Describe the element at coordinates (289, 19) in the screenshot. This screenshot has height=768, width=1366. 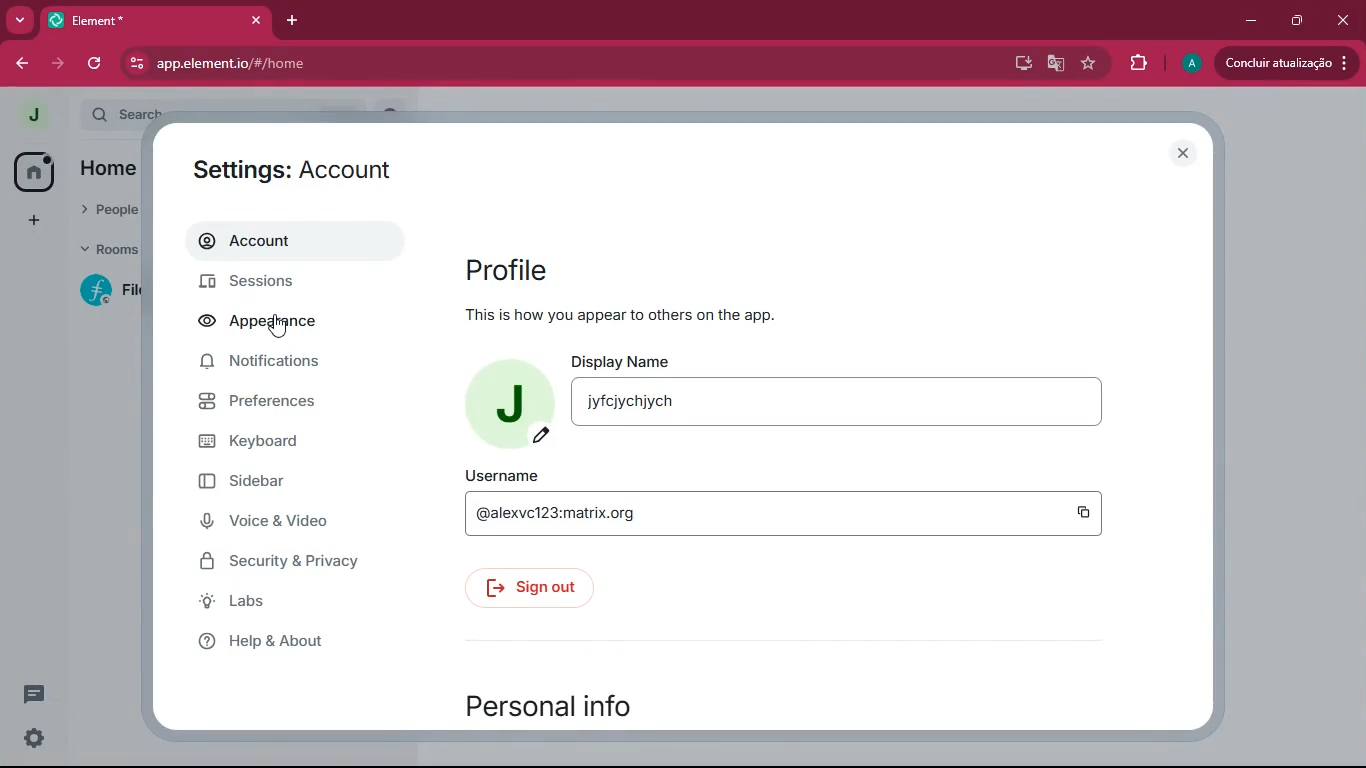
I see `add tab` at that location.